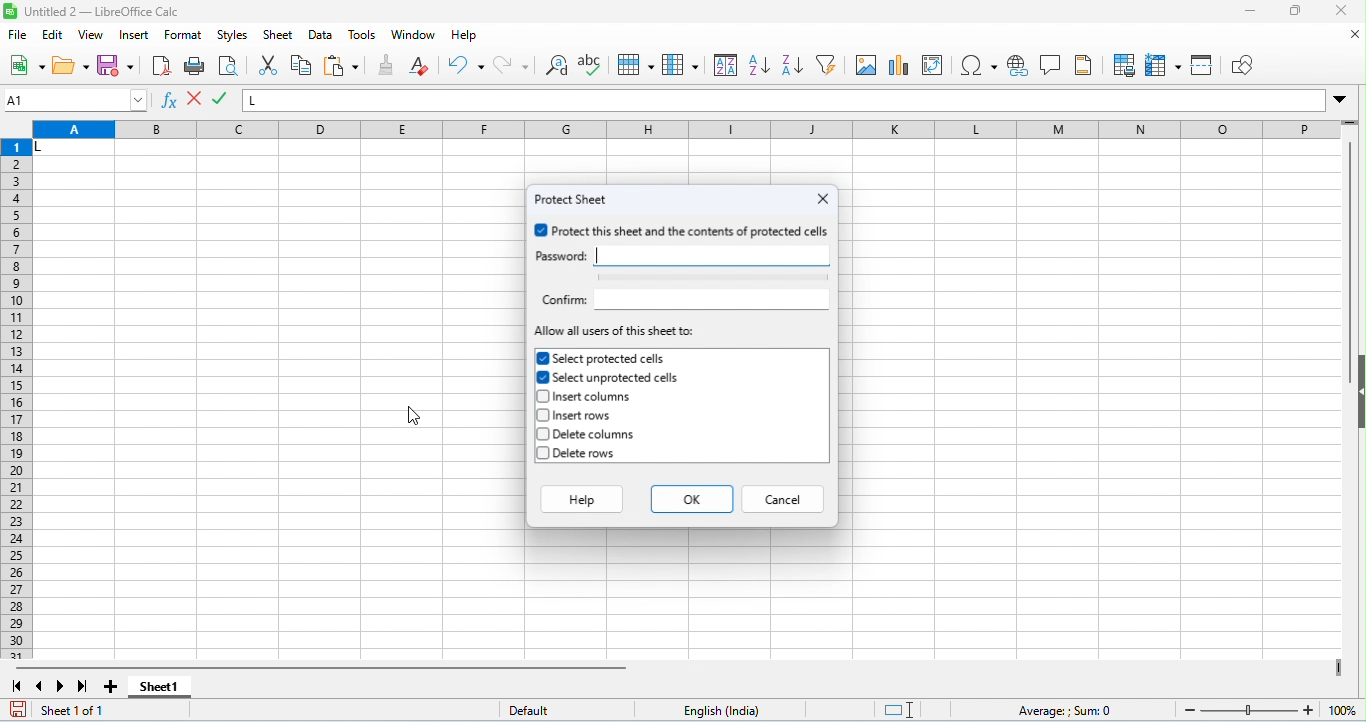  I want to click on file, so click(19, 36).